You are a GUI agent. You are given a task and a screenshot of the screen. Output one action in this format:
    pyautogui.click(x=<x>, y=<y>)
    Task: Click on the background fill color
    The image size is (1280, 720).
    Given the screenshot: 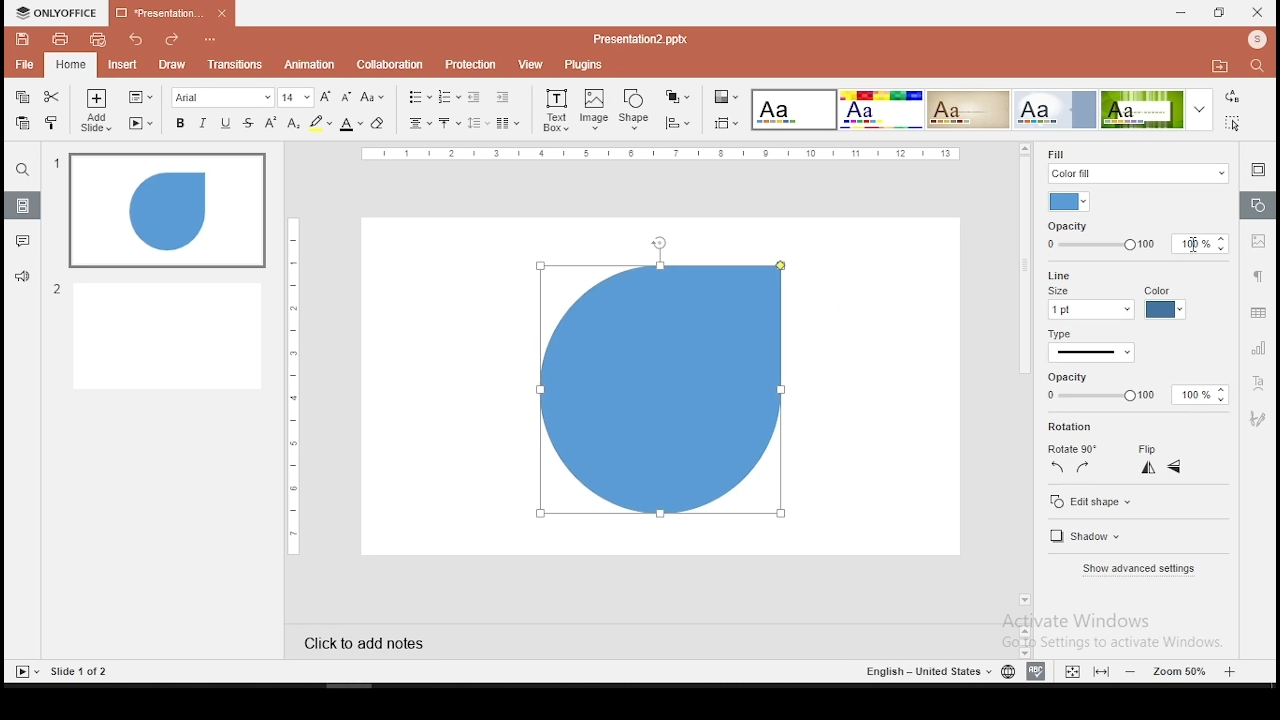 What is the action you would take?
    pyautogui.click(x=1071, y=202)
    